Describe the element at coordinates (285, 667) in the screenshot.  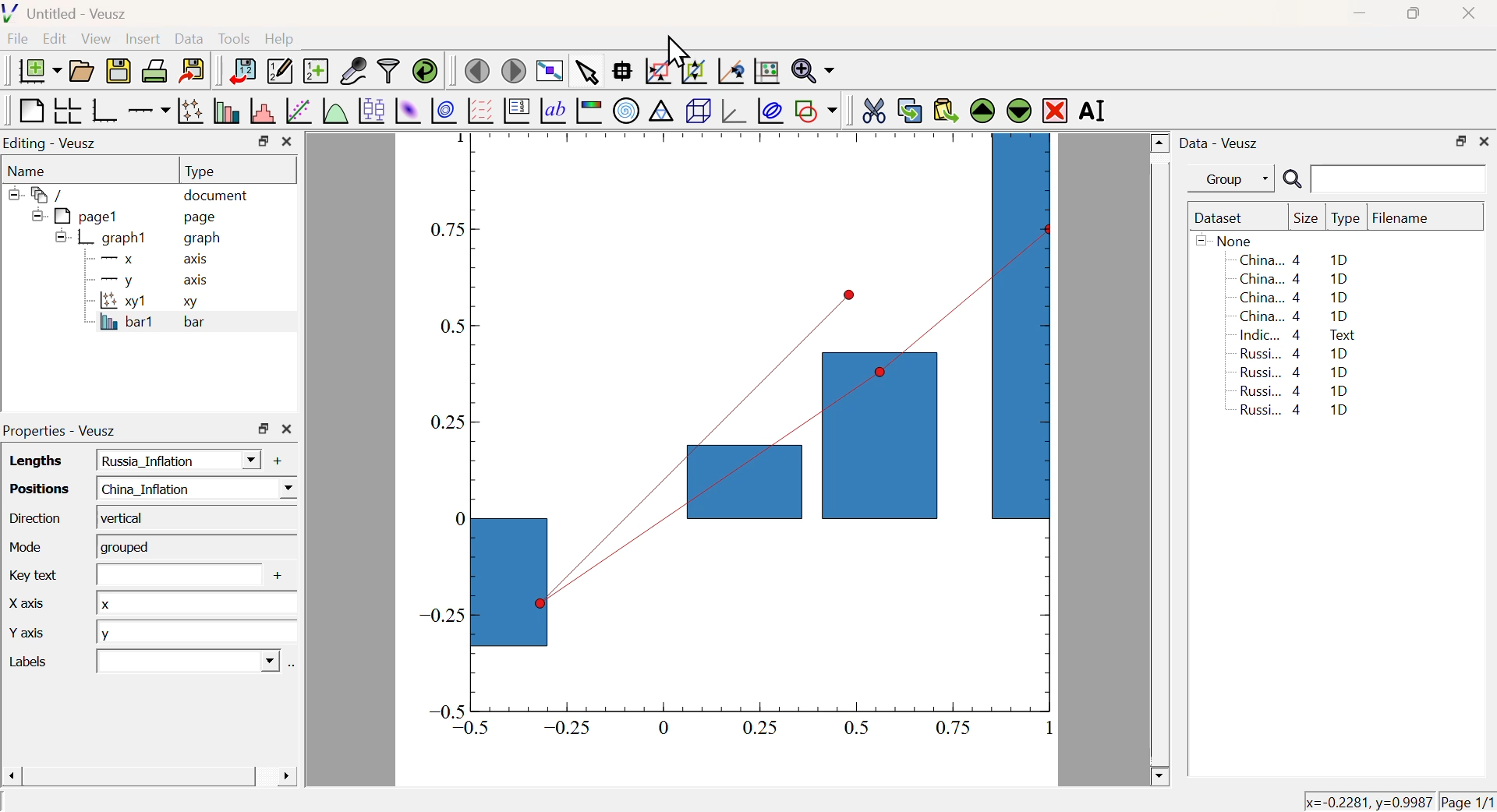
I see `Select using dataset Browser` at that location.